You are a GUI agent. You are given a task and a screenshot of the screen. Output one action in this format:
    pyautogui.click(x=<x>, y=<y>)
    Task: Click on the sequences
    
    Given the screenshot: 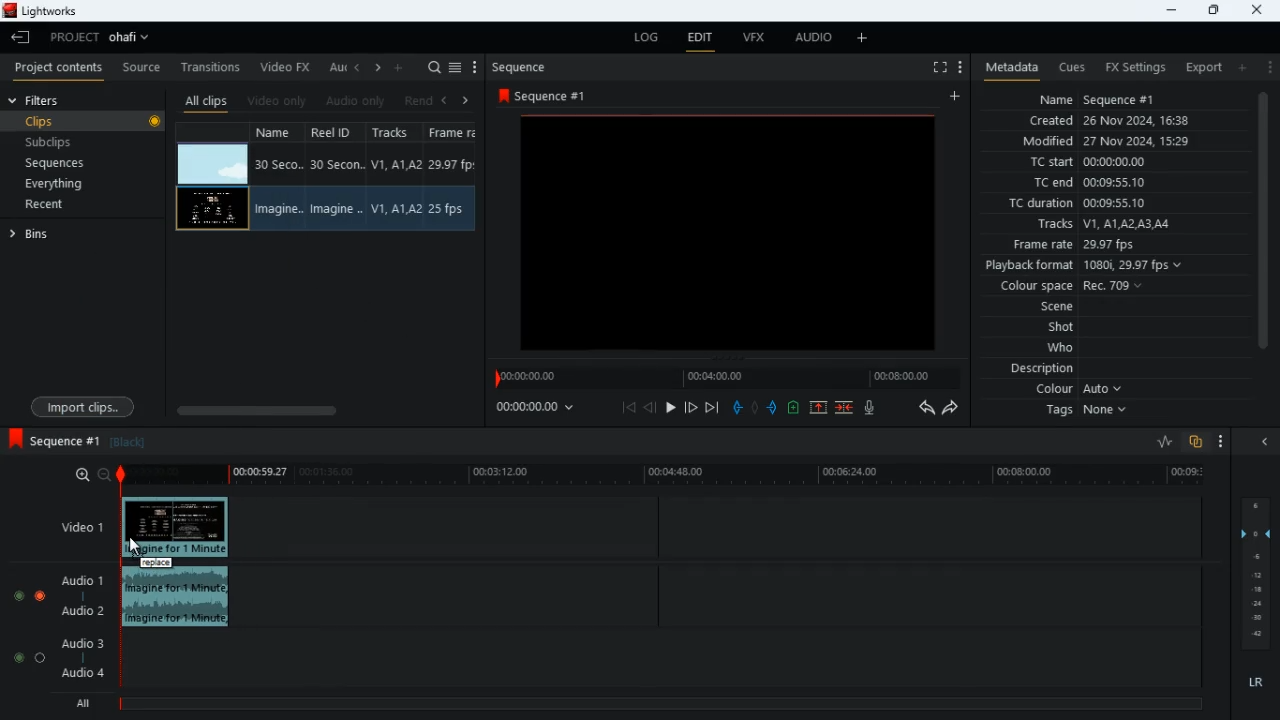 What is the action you would take?
    pyautogui.click(x=57, y=163)
    